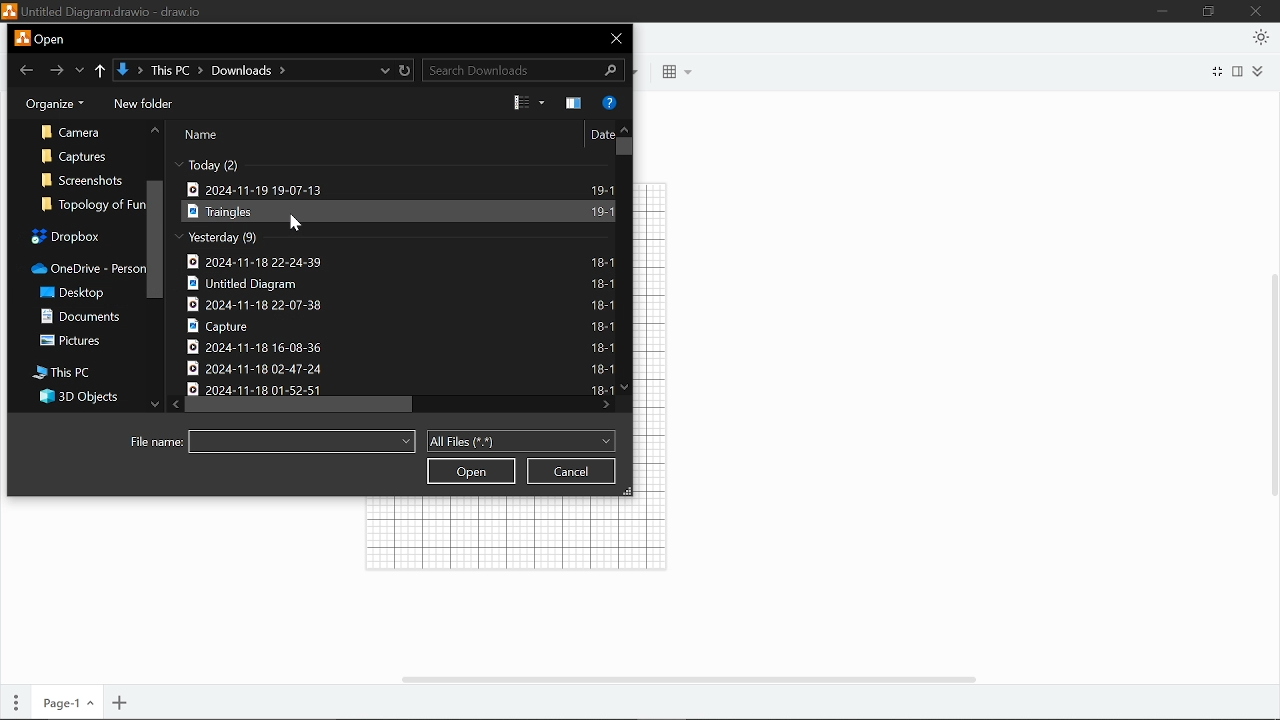 This screenshot has width=1280, height=720. What do you see at coordinates (55, 70) in the screenshot?
I see `Forward` at bounding box center [55, 70].